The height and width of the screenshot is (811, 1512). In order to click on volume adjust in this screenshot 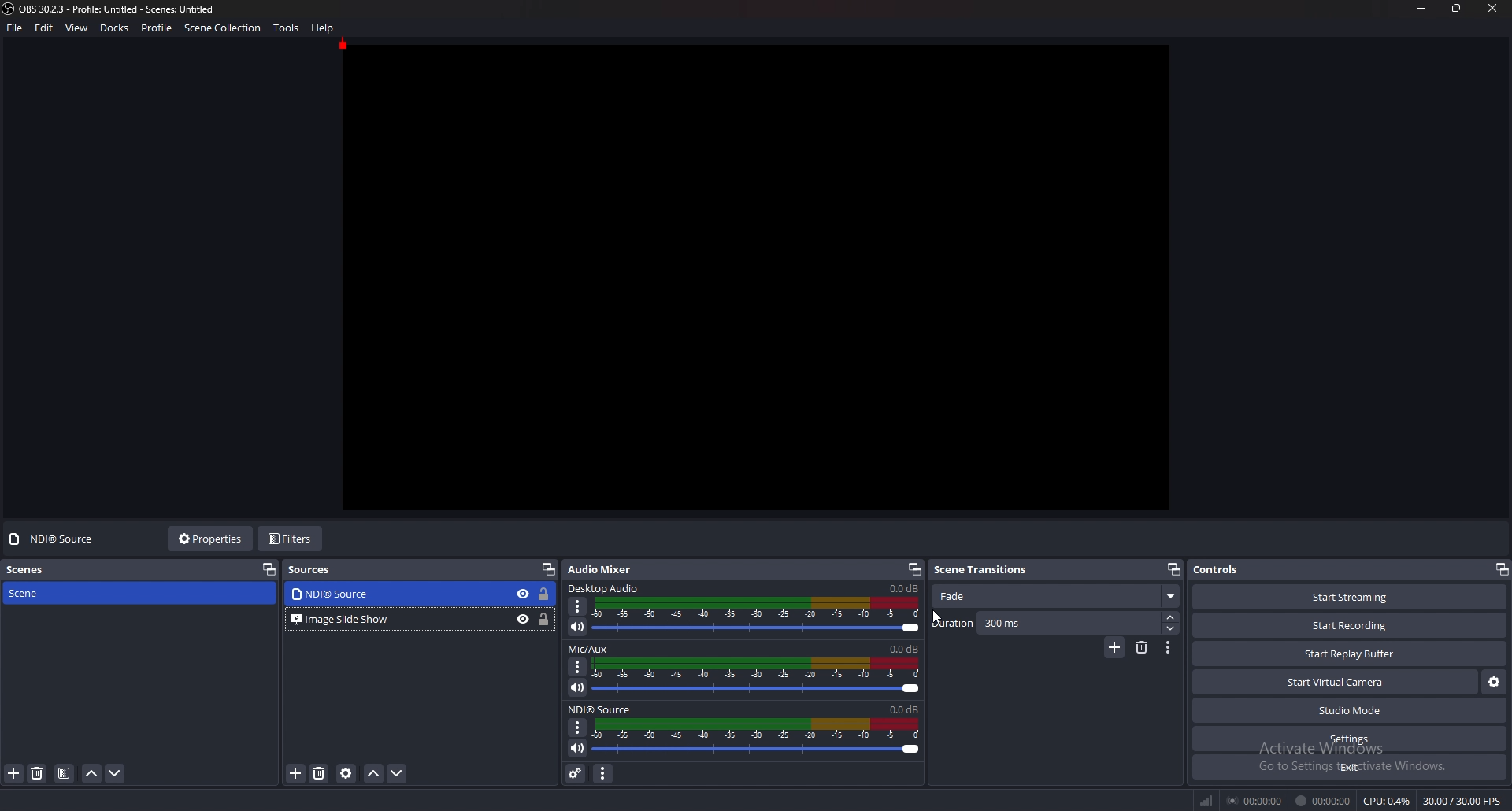, I will do `click(757, 617)`.